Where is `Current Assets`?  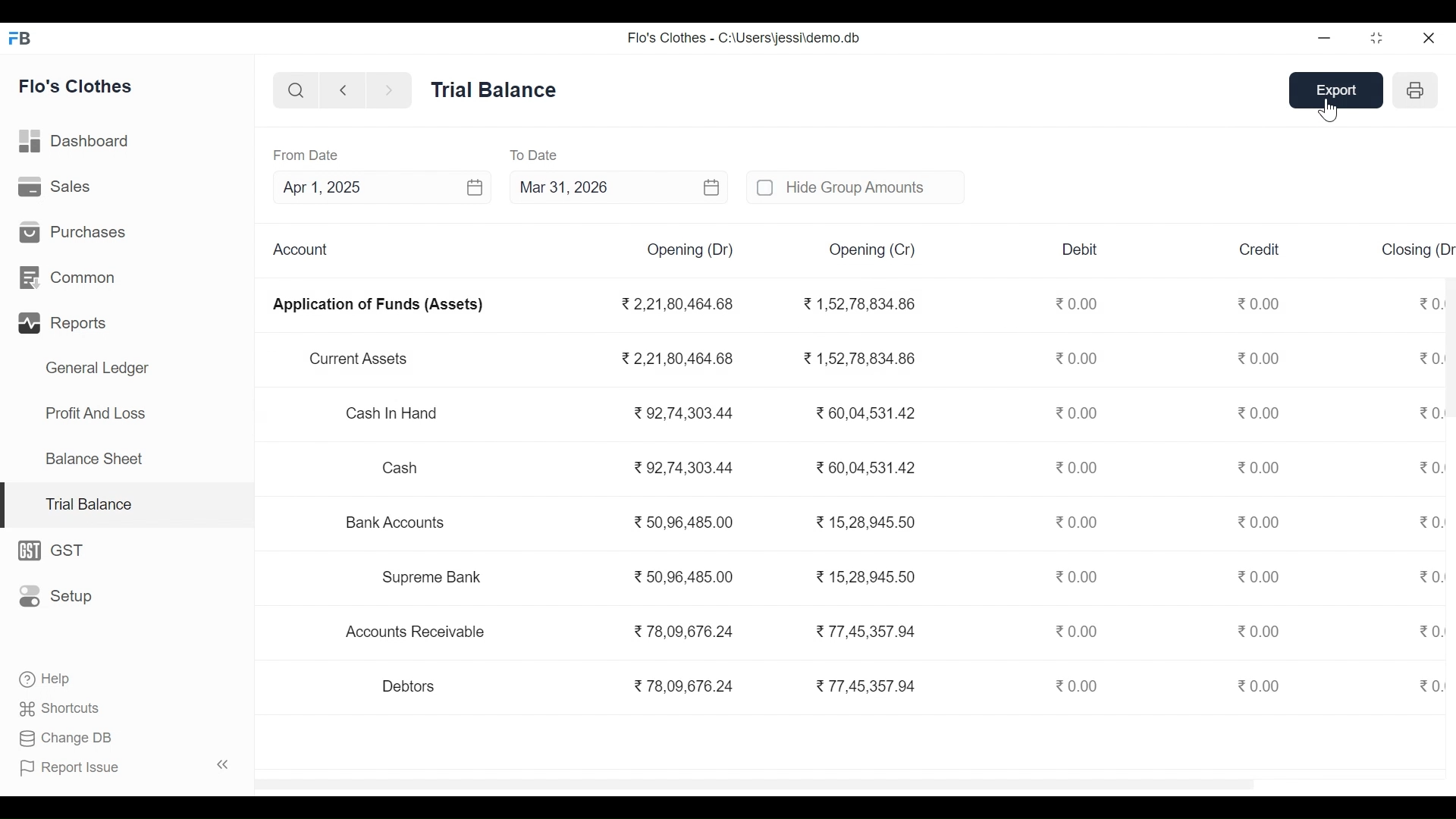 Current Assets is located at coordinates (358, 359).